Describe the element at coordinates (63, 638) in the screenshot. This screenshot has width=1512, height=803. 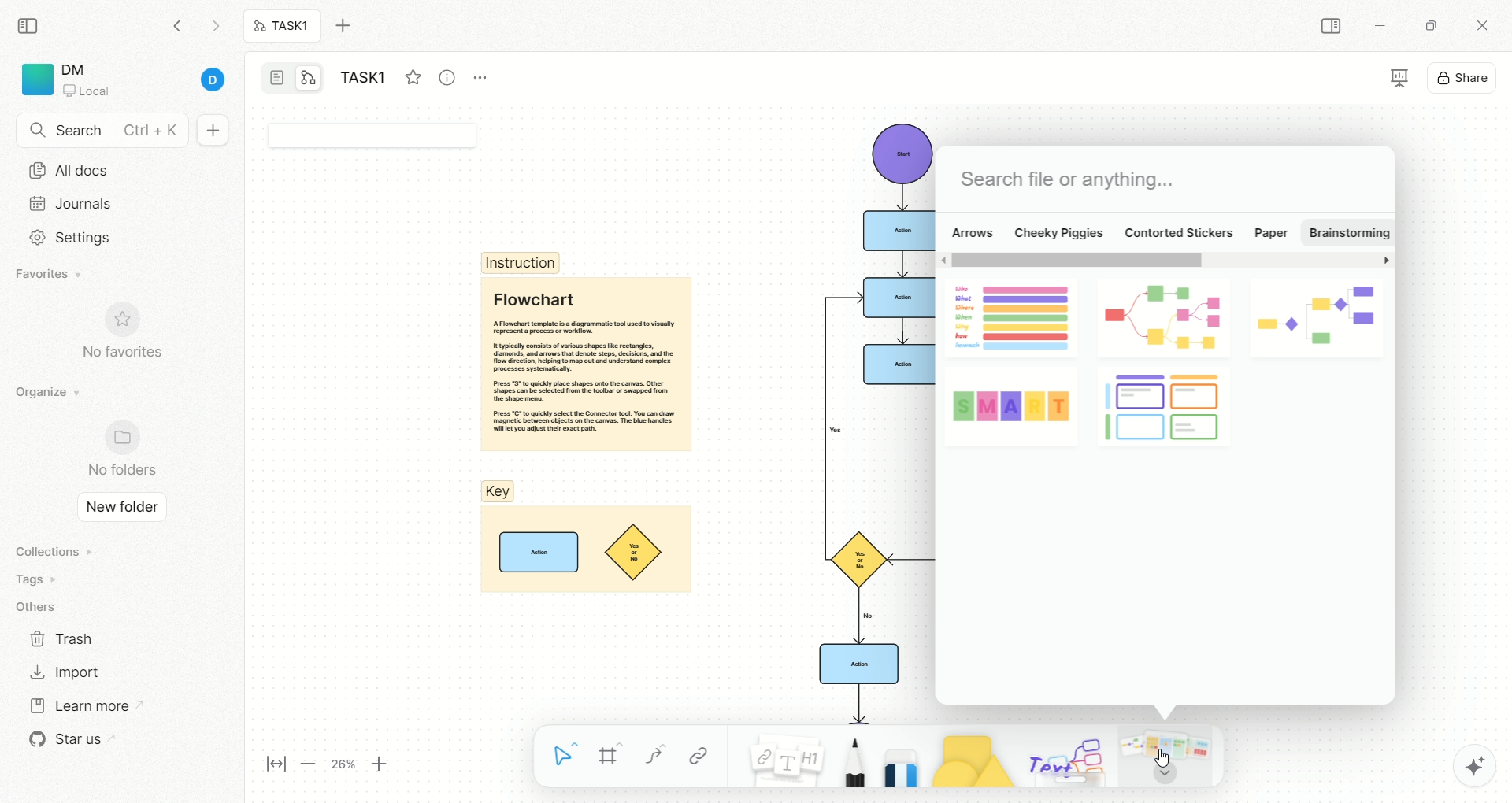
I see `trash` at that location.